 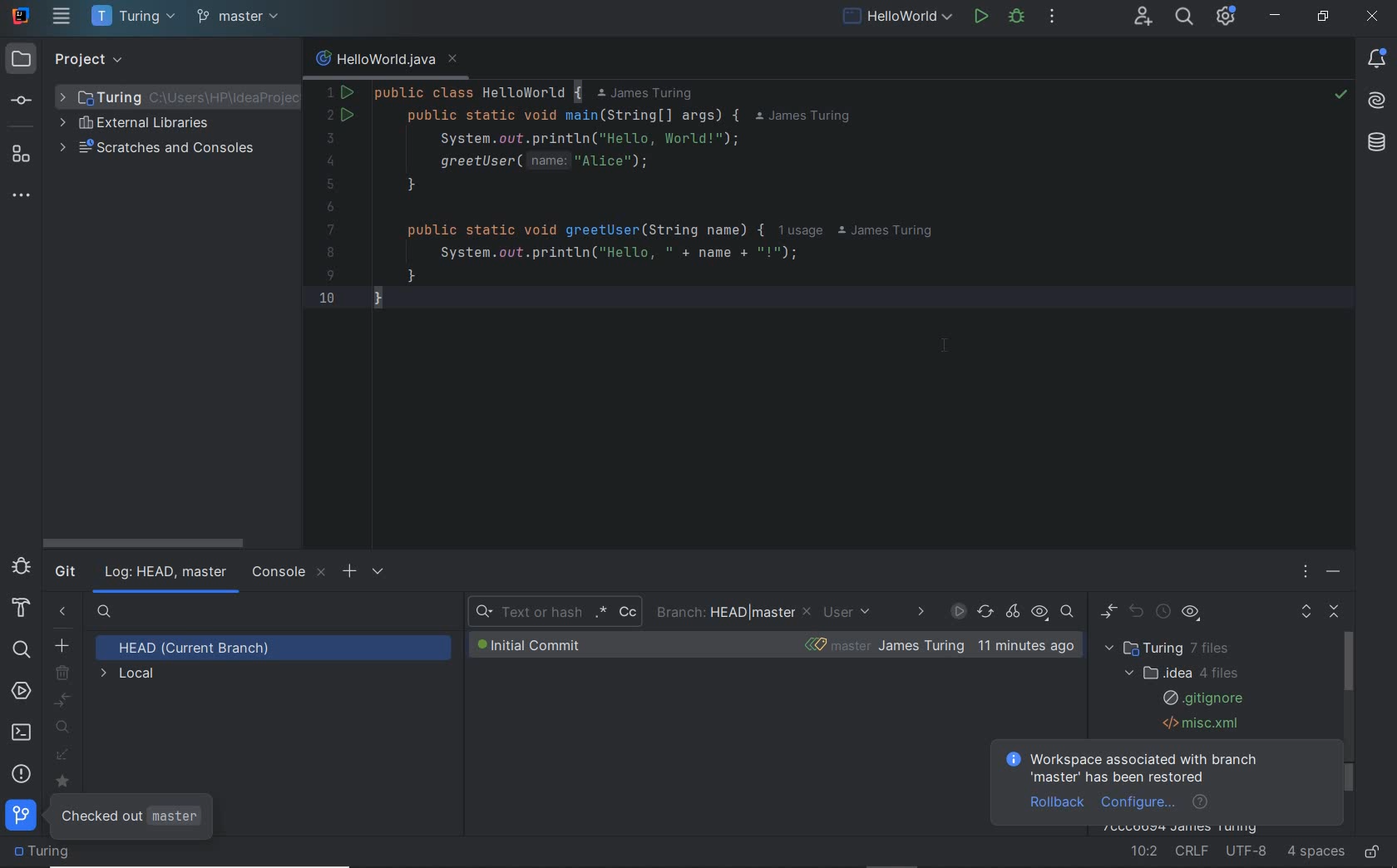 I want to click on AI Assistant, so click(x=1377, y=99).